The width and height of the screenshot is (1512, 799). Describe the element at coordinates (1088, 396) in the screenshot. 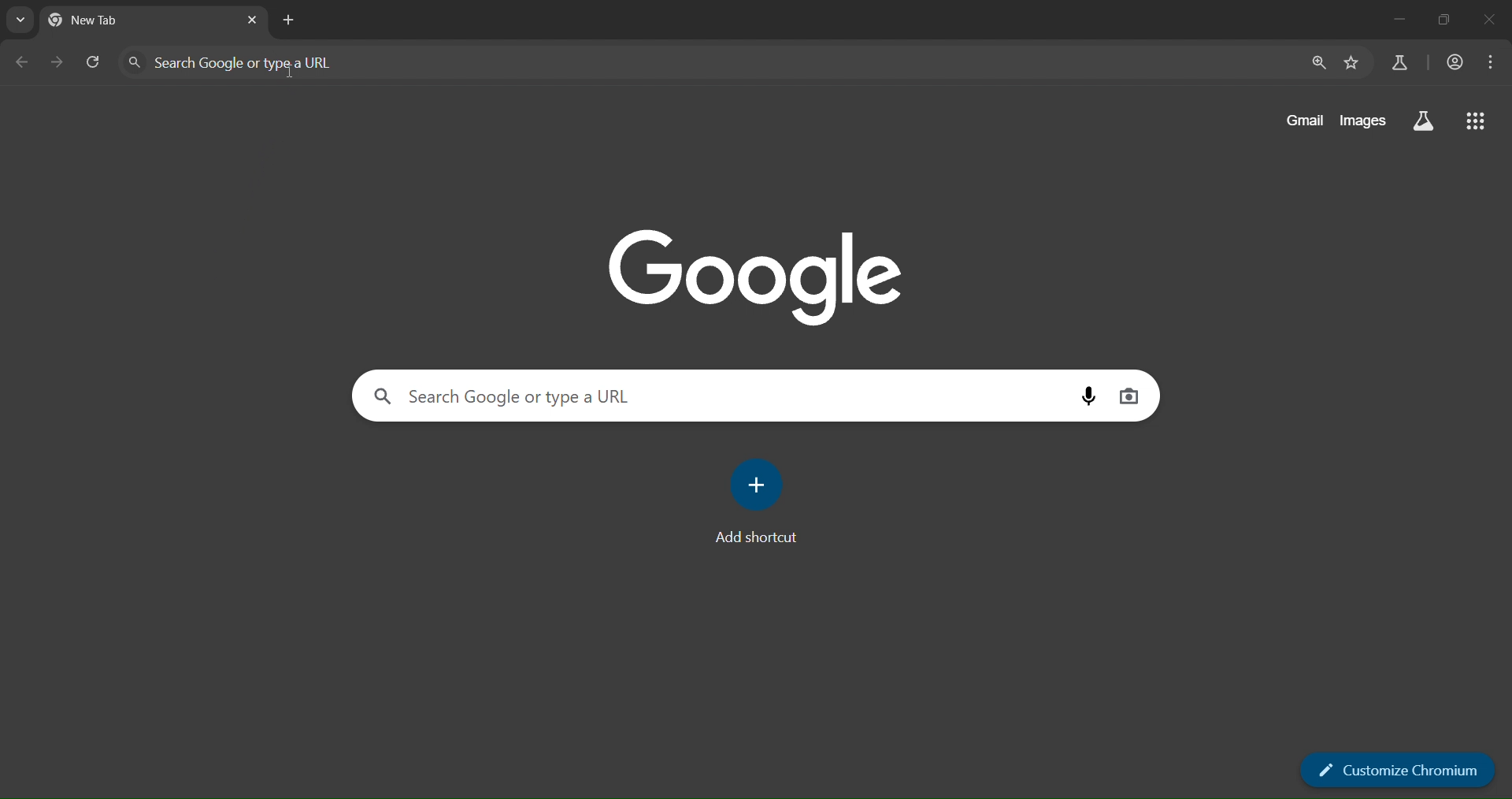

I see `voice search` at that location.